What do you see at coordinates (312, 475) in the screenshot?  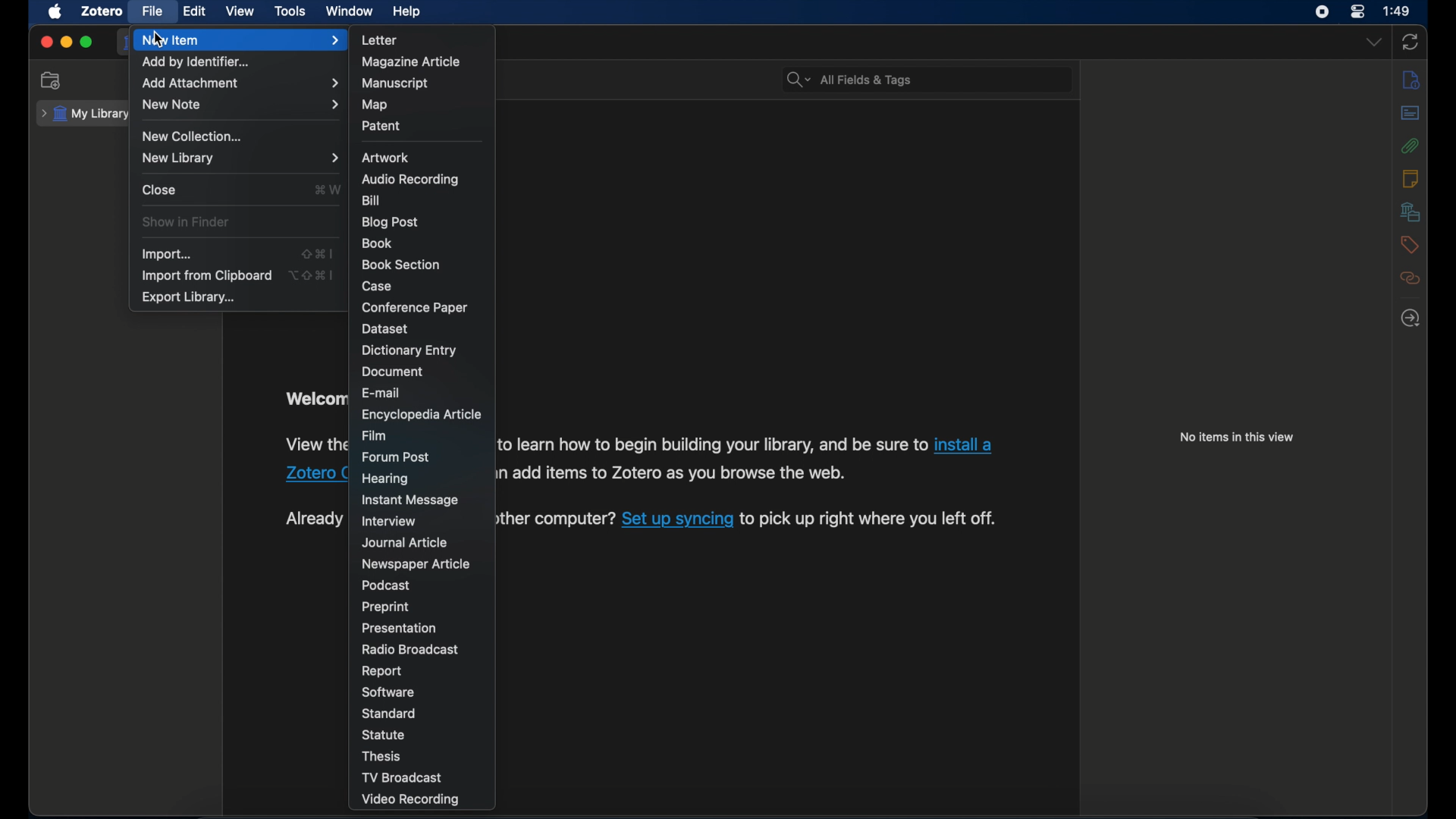 I see `Zotero ` at bounding box center [312, 475].